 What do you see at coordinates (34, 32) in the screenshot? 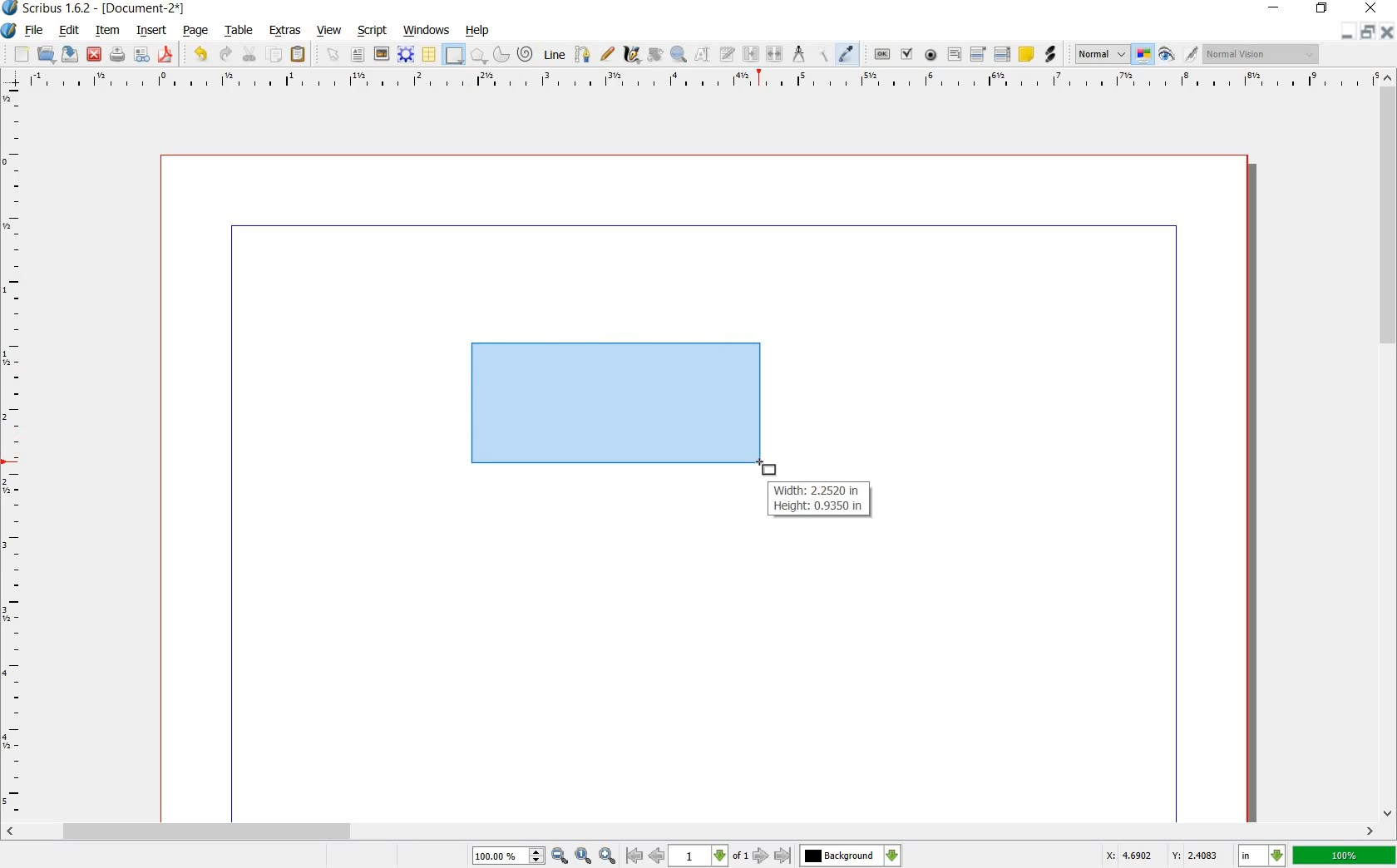
I see `FILE` at bounding box center [34, 32].